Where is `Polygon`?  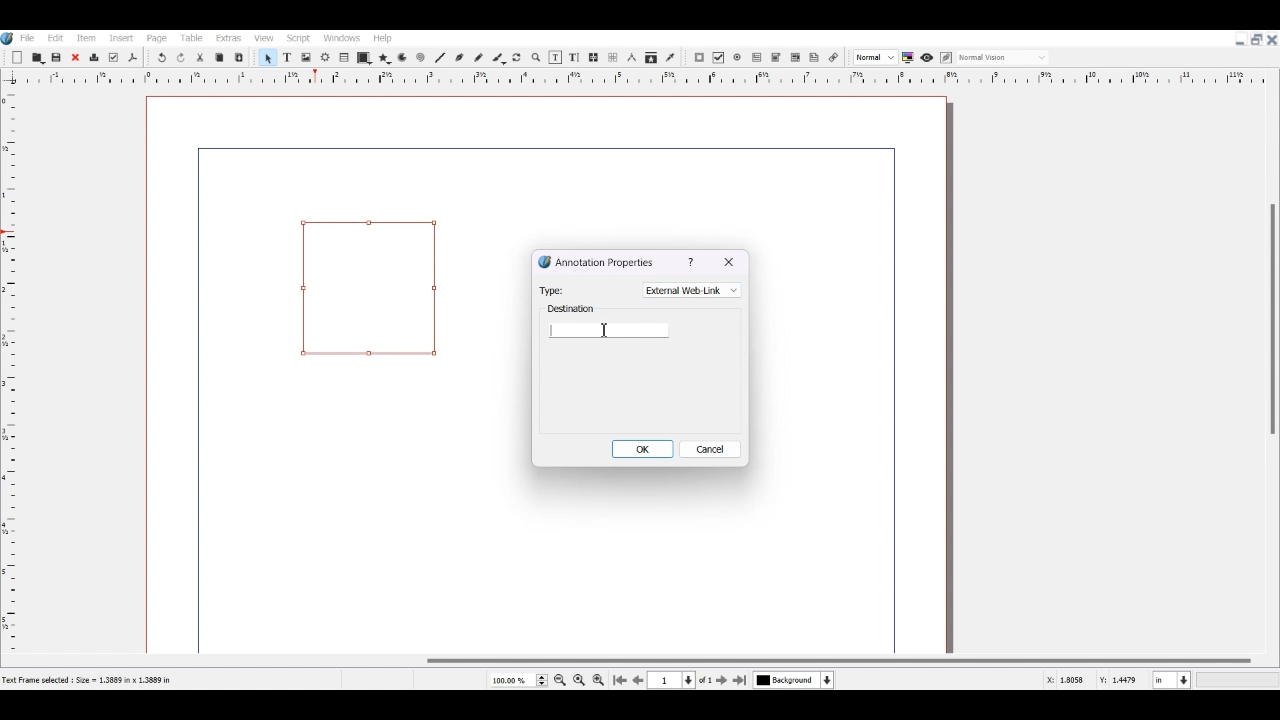
Polygon is located at coordinates (384, 58).